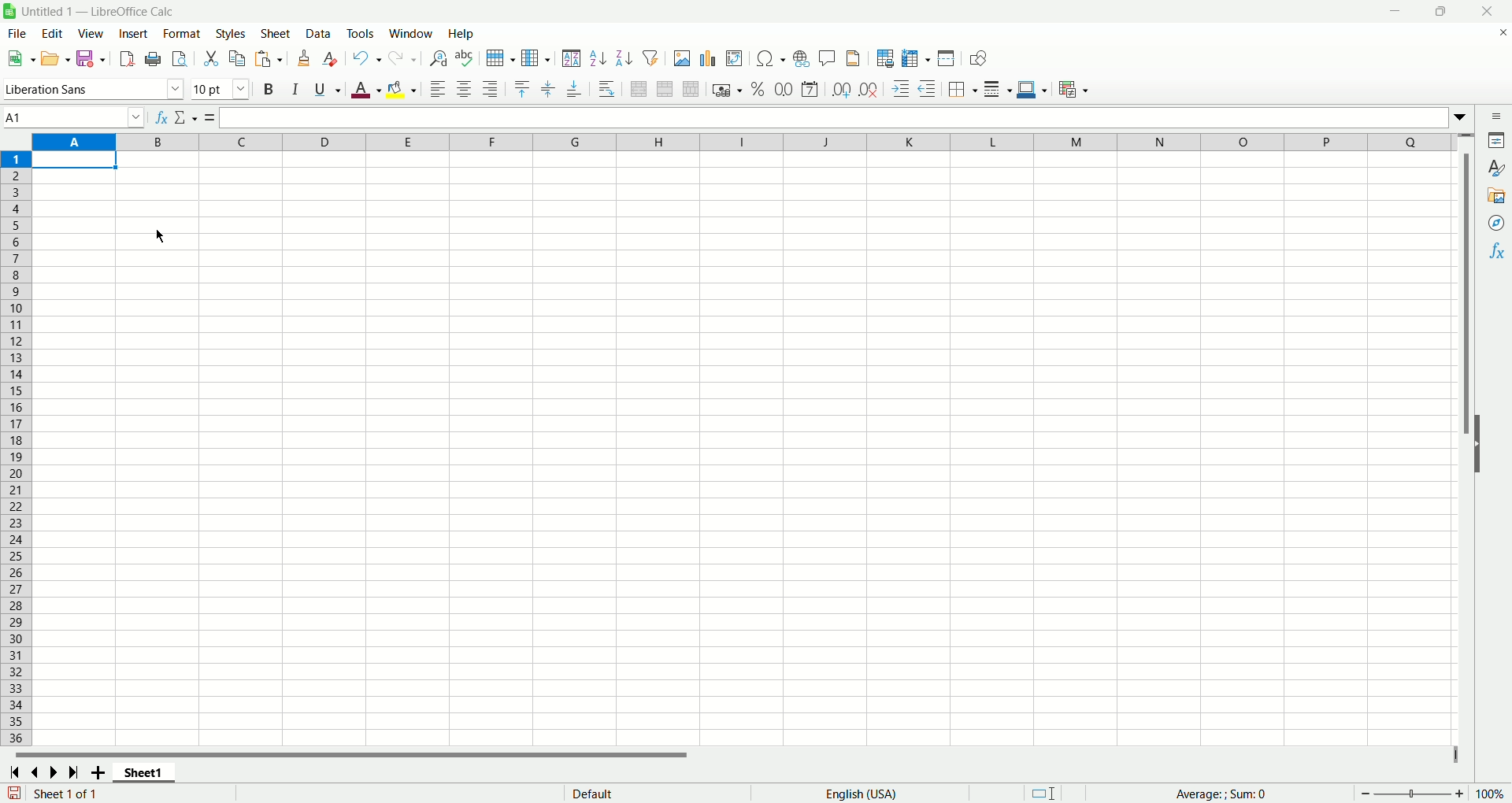  Describe the element at coordinates (39, 772) in the screenshot. I see `scroll to previous sheet` at that location.